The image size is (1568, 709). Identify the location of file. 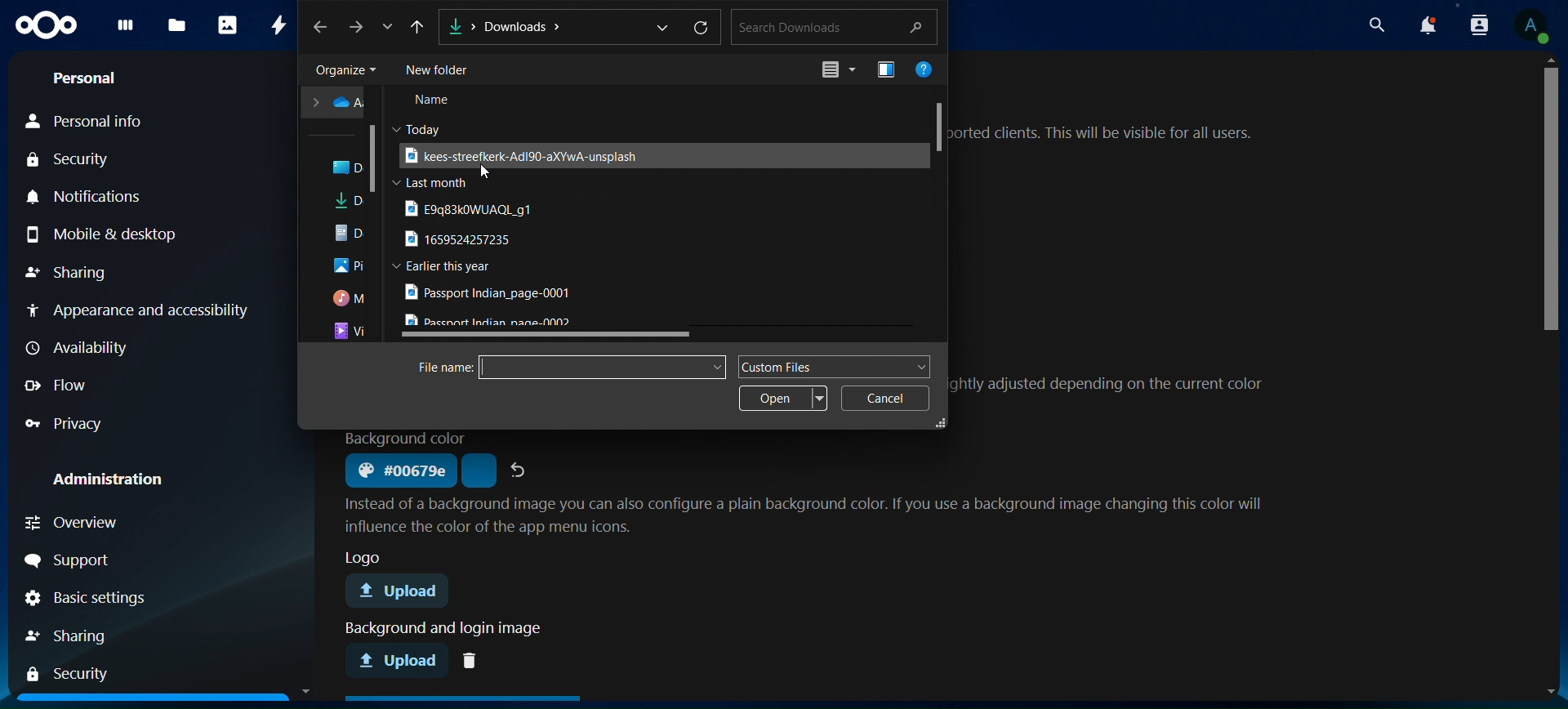
(491, 293).